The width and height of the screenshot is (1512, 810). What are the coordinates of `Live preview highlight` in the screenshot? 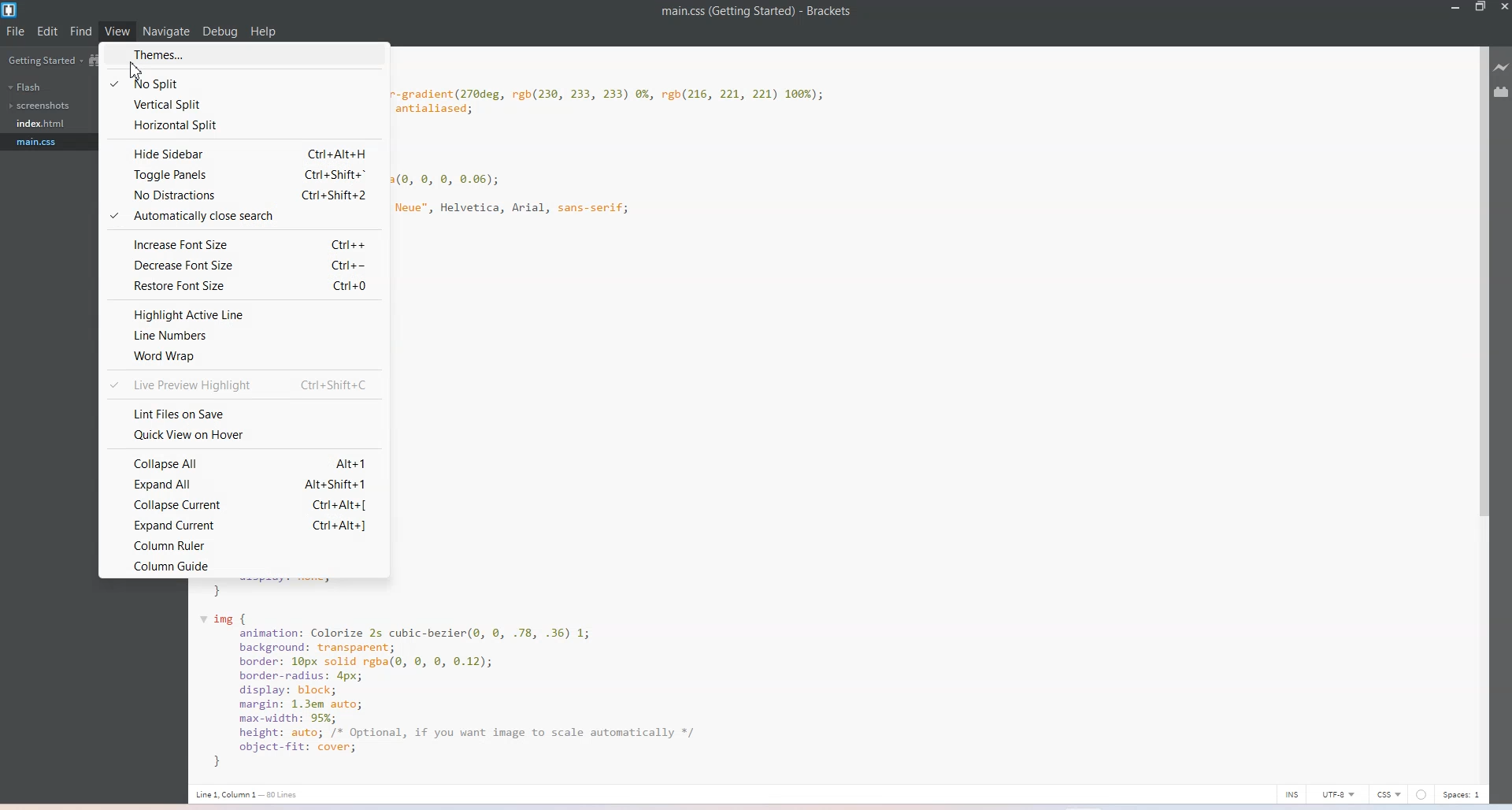 It's located at (243, 382).